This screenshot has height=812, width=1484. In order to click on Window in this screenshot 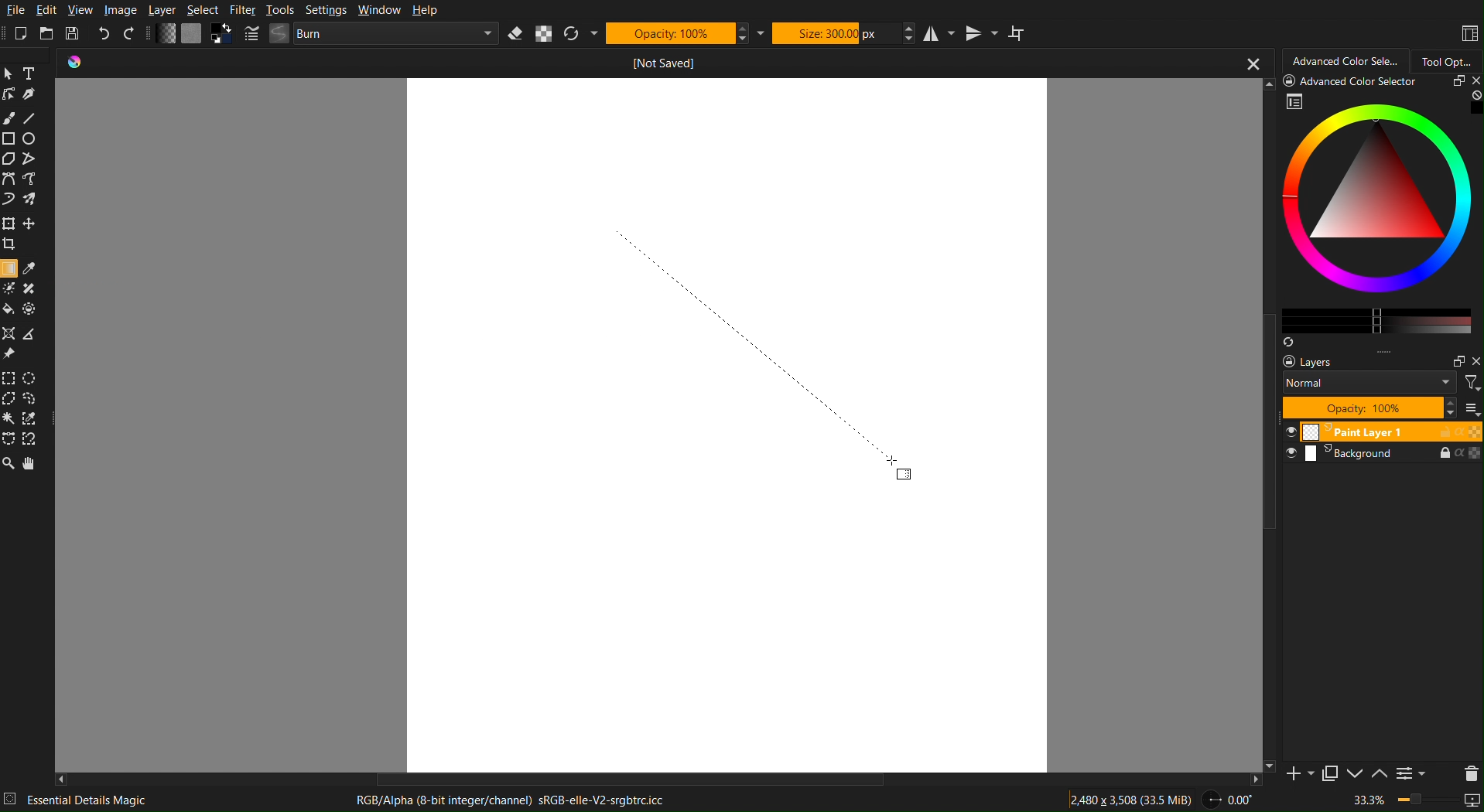, I will do `click(377, 11)`.